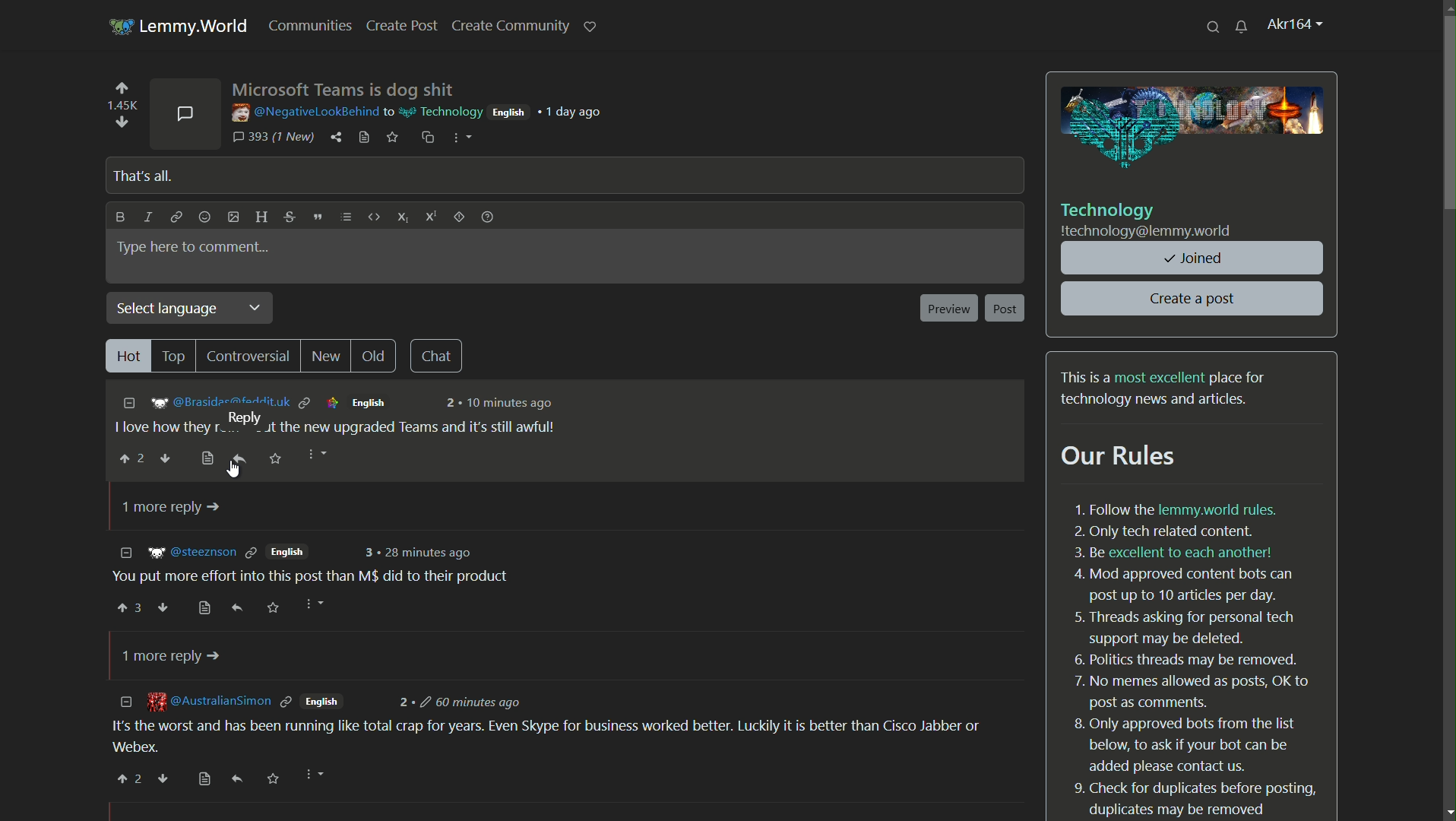  I want to click on that's all, so click(140, 176).